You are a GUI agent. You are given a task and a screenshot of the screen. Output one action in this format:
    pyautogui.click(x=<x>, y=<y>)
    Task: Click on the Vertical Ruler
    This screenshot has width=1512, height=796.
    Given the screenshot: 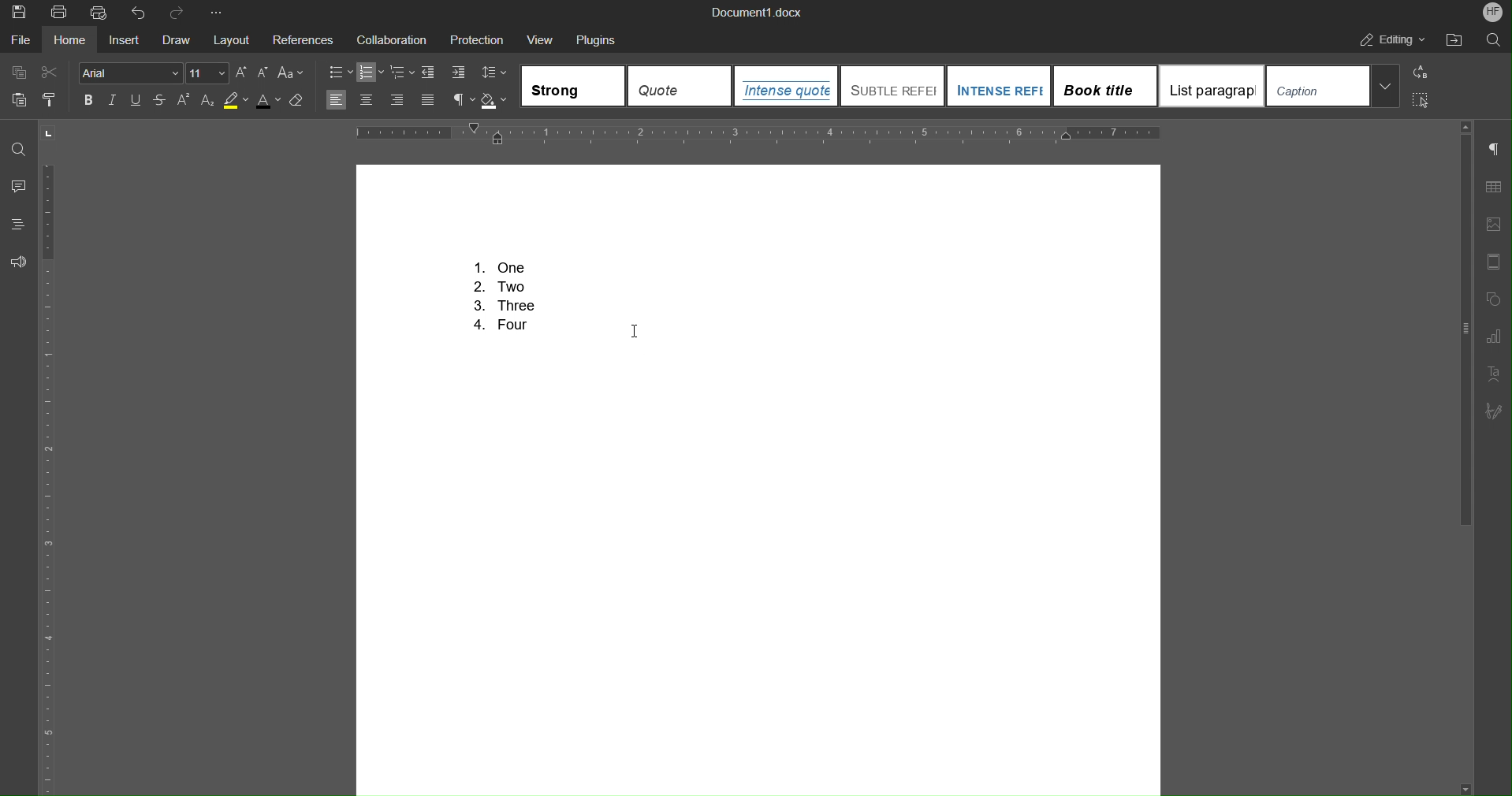 What is the action you would take?
    pyautogui.click(x=47, y=476)
    